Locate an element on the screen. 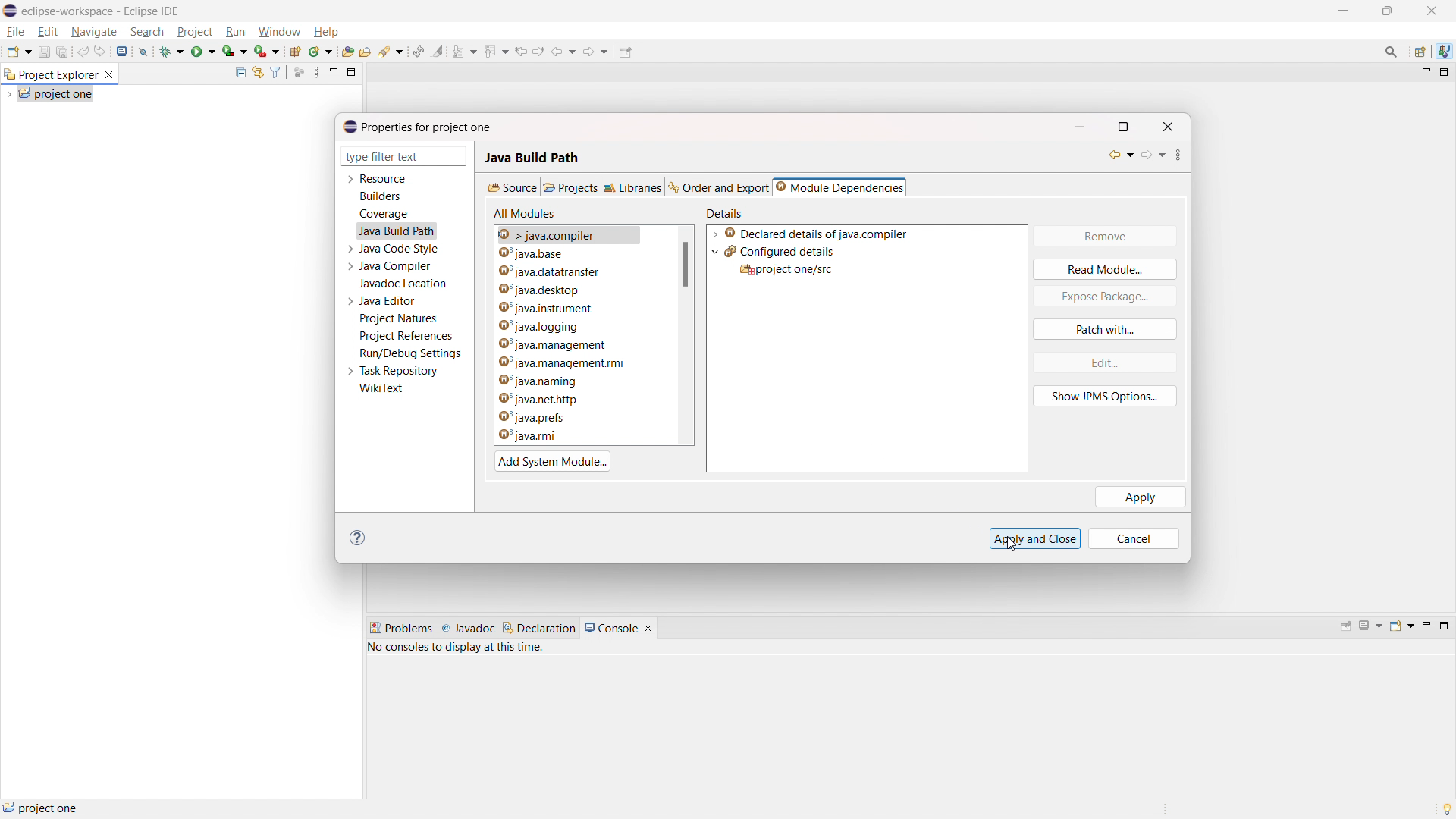 The image size is (1456, 819). all modules is located at coordinates (526, 213).